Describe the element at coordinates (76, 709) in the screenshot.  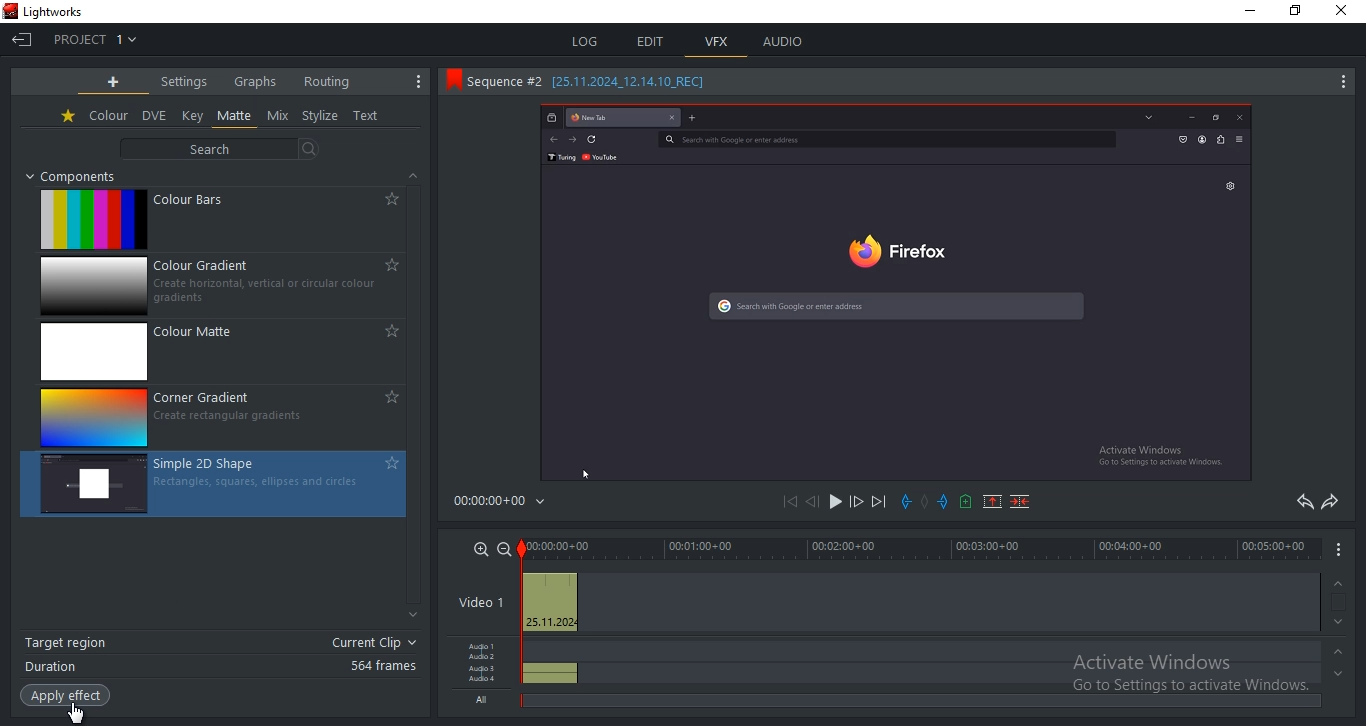
I see `cursor` at that location.